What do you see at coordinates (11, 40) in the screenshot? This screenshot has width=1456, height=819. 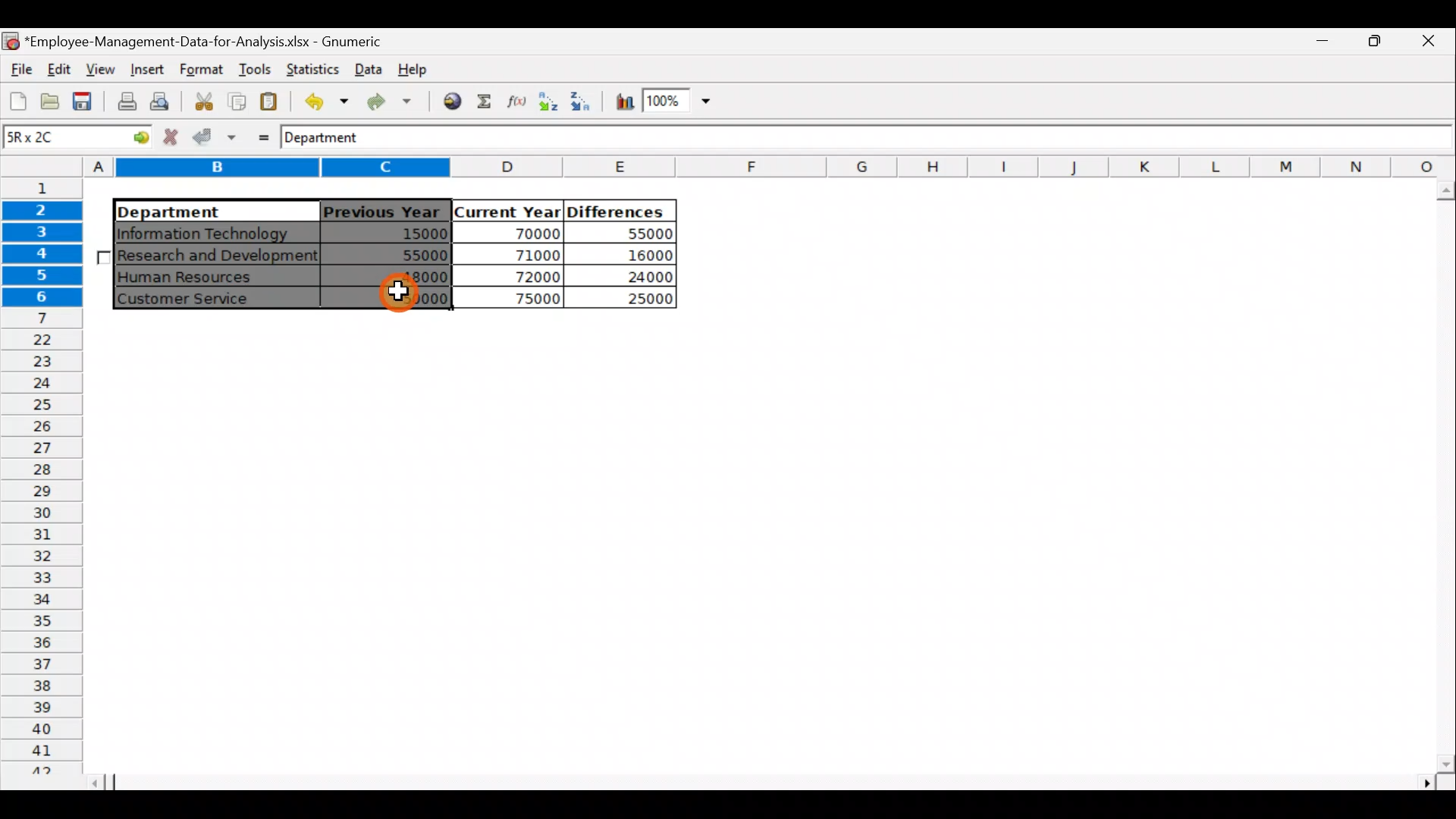 I see `Gnumeric logo` at bounding box center [11, 40].